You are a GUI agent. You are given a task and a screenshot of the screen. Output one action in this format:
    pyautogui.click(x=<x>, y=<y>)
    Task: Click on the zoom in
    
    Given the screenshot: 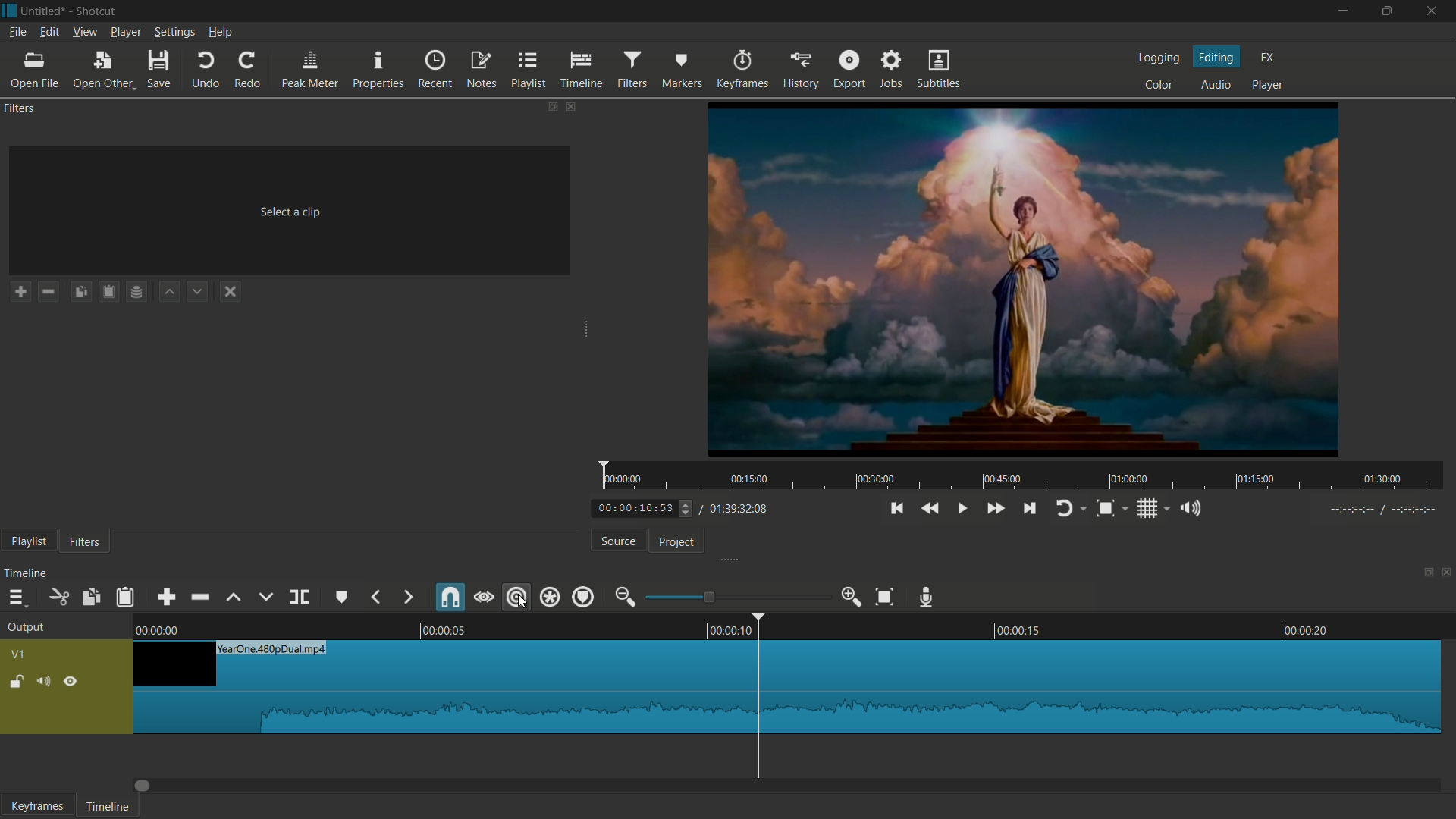 What is the action you would take?
    pyautogui.click(x=852, y=597)
    